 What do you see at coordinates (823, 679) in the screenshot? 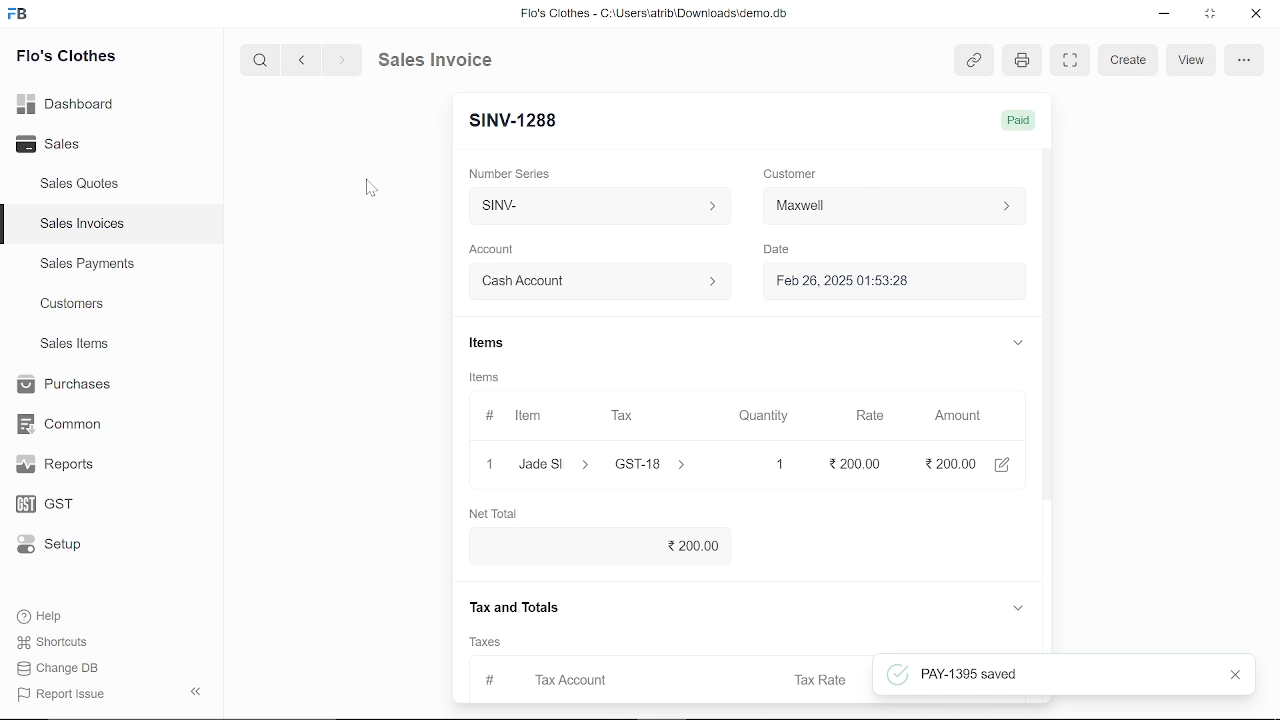
I see `Tax Rate` at bounding box center [823, 679].